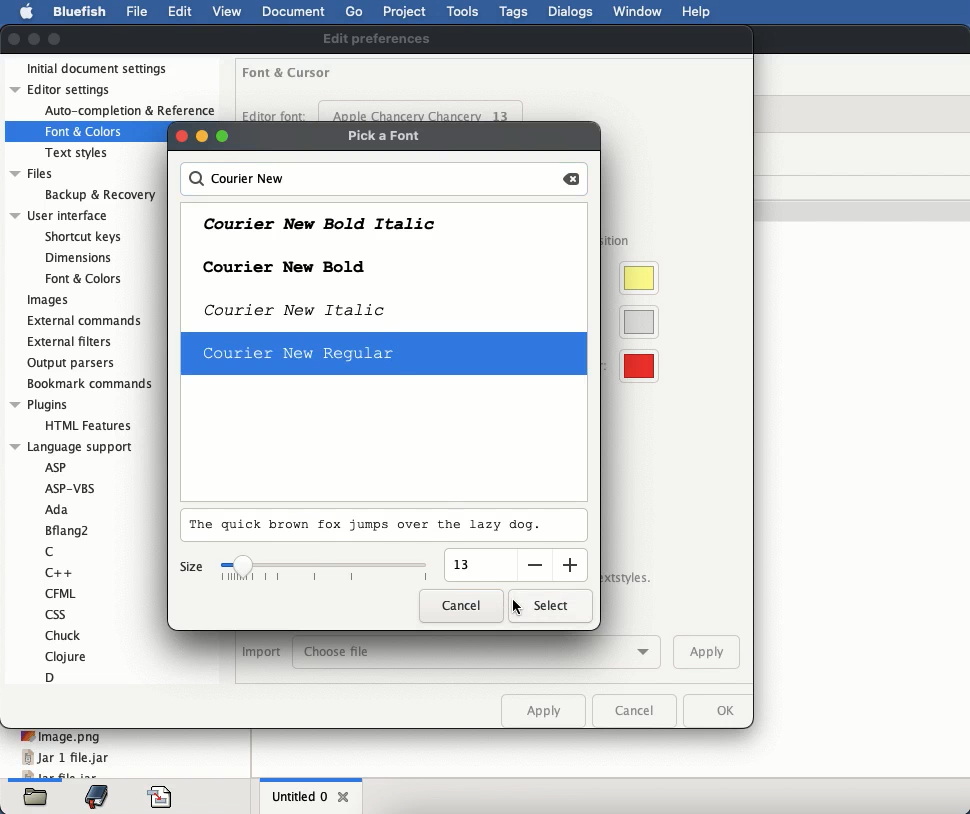 Image resolution: width=970 pixels, height=814 pixels. Describe the element at coordinates (635, 323) in the screenshot. I see `current line color` at that location.